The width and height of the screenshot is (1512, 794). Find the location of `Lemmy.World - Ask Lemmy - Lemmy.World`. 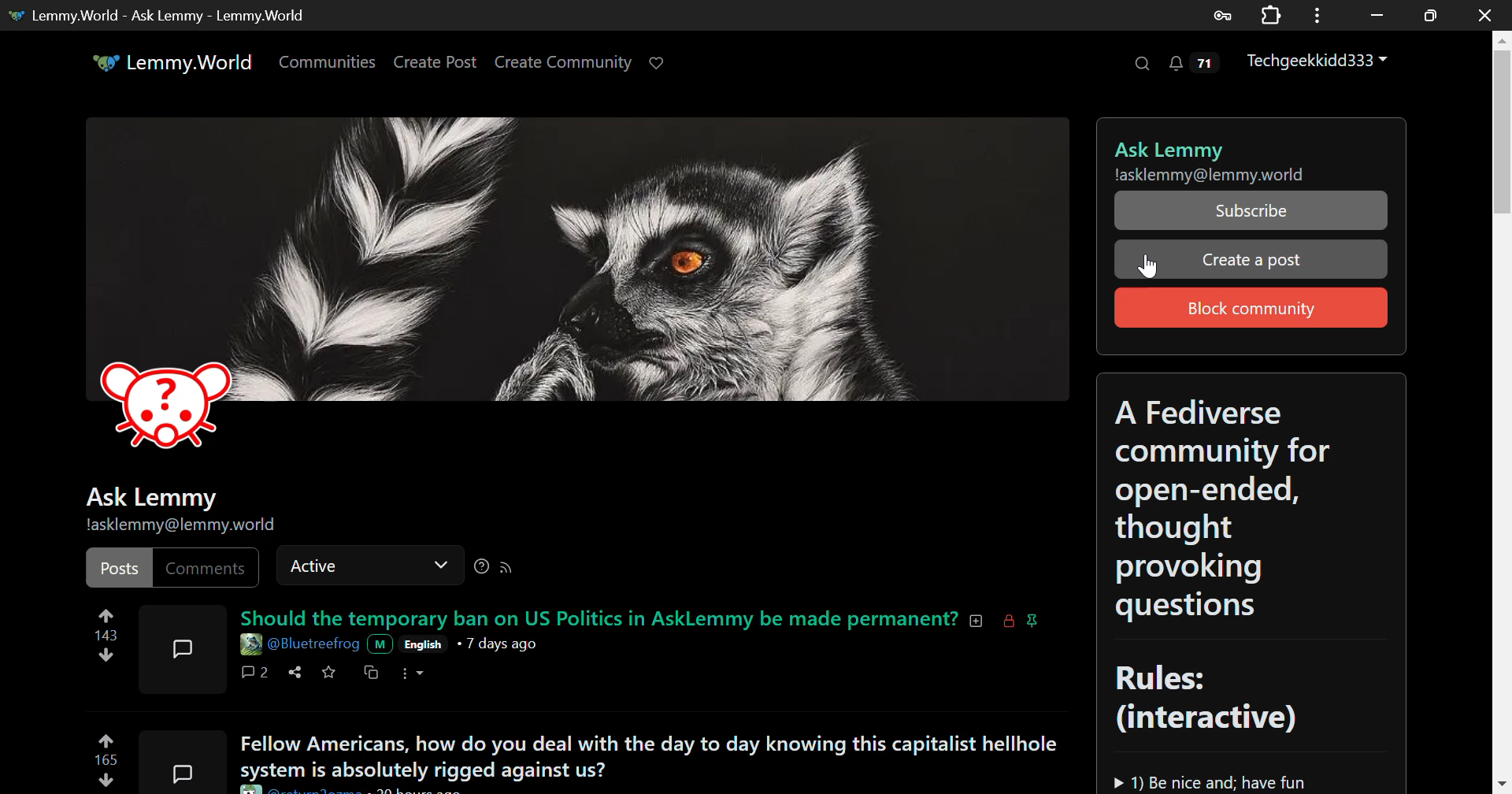

Lemmy.World - Ask Lemmy - Lemmy.World is located at coordinates (162, 15).